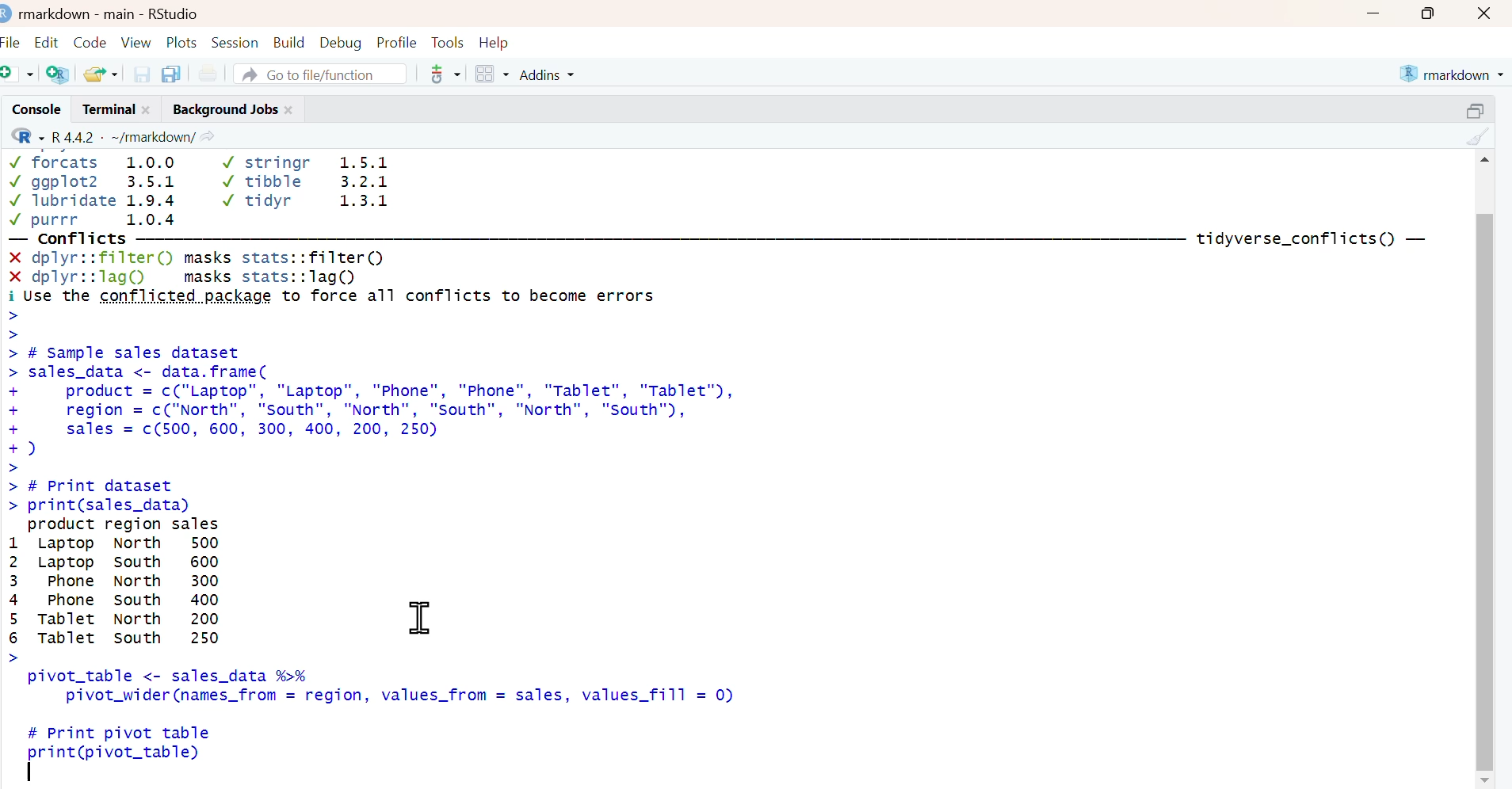 This screenshot has height=789, width=1512. What do you see at coordinates (499, 41) in the screenshot?
I see `Help` at bounding box center [499, 41].